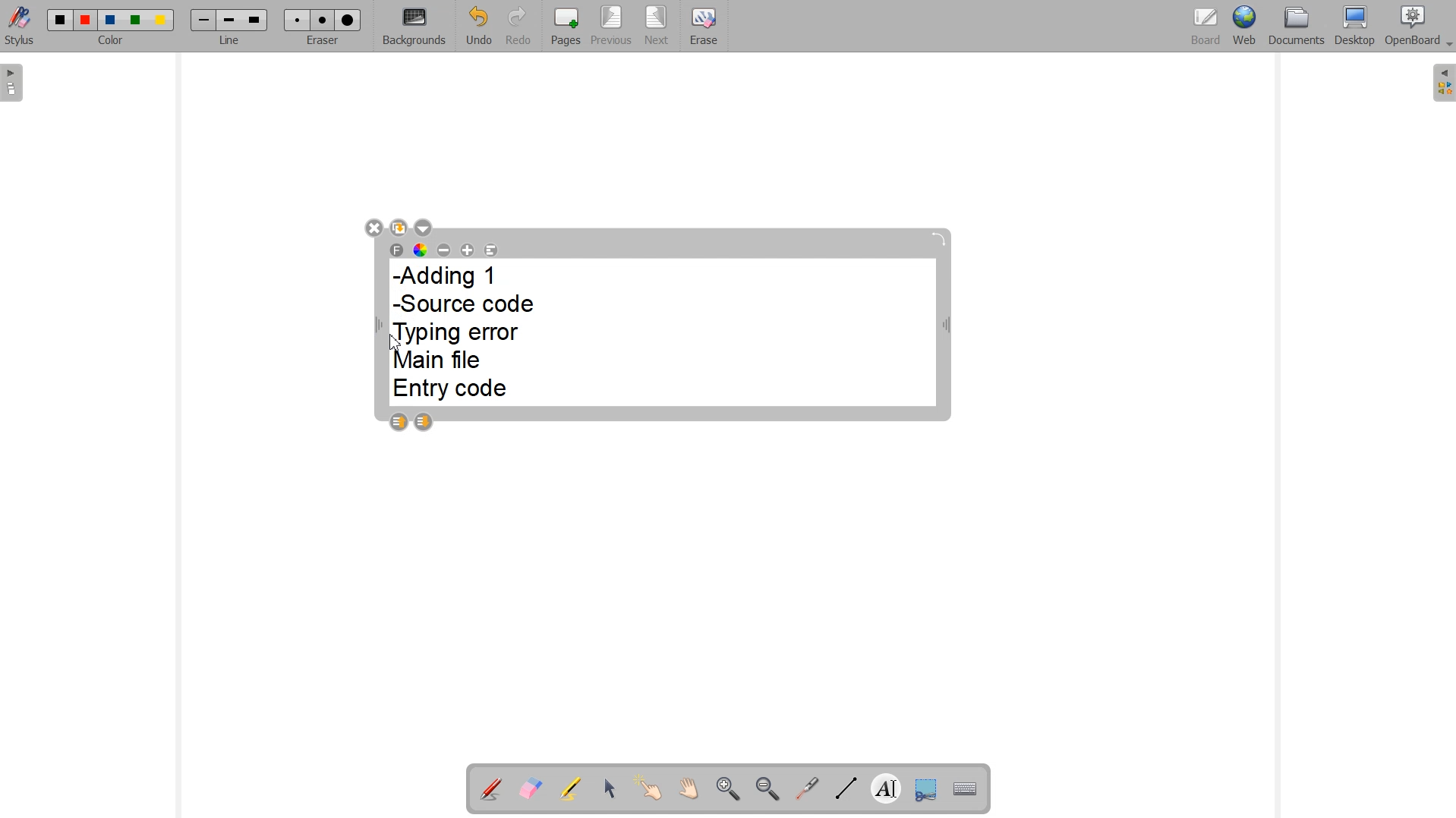 The width and height of the screenshot is (1456, 818). Describe the element at coordinates (516, 25) in the screenshot. I see `Redo` at that location.